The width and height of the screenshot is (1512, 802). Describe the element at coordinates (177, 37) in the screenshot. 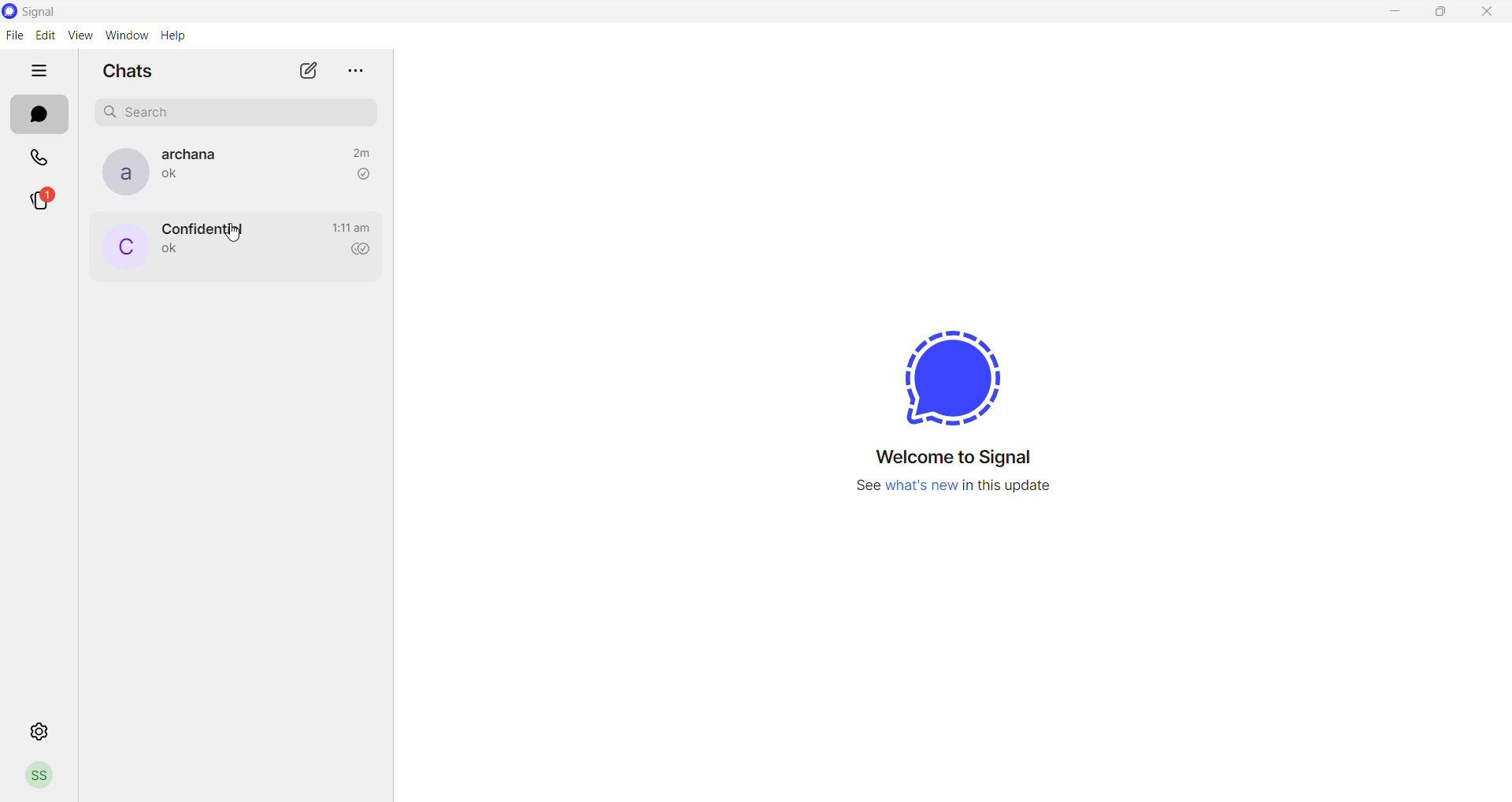

I see `help` at that location.